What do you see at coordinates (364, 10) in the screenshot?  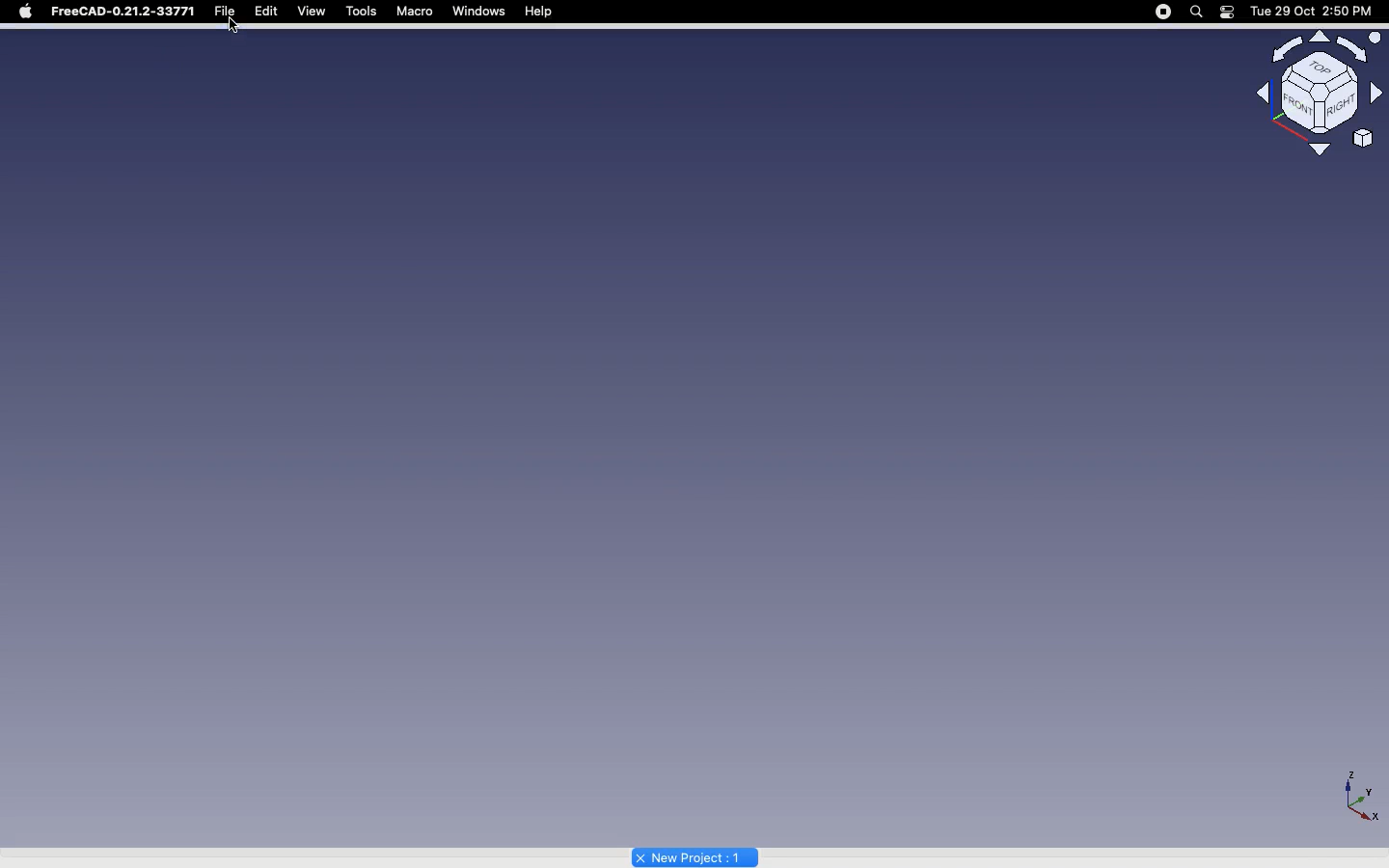 I see `Tools` at bounding box center [364, 10].